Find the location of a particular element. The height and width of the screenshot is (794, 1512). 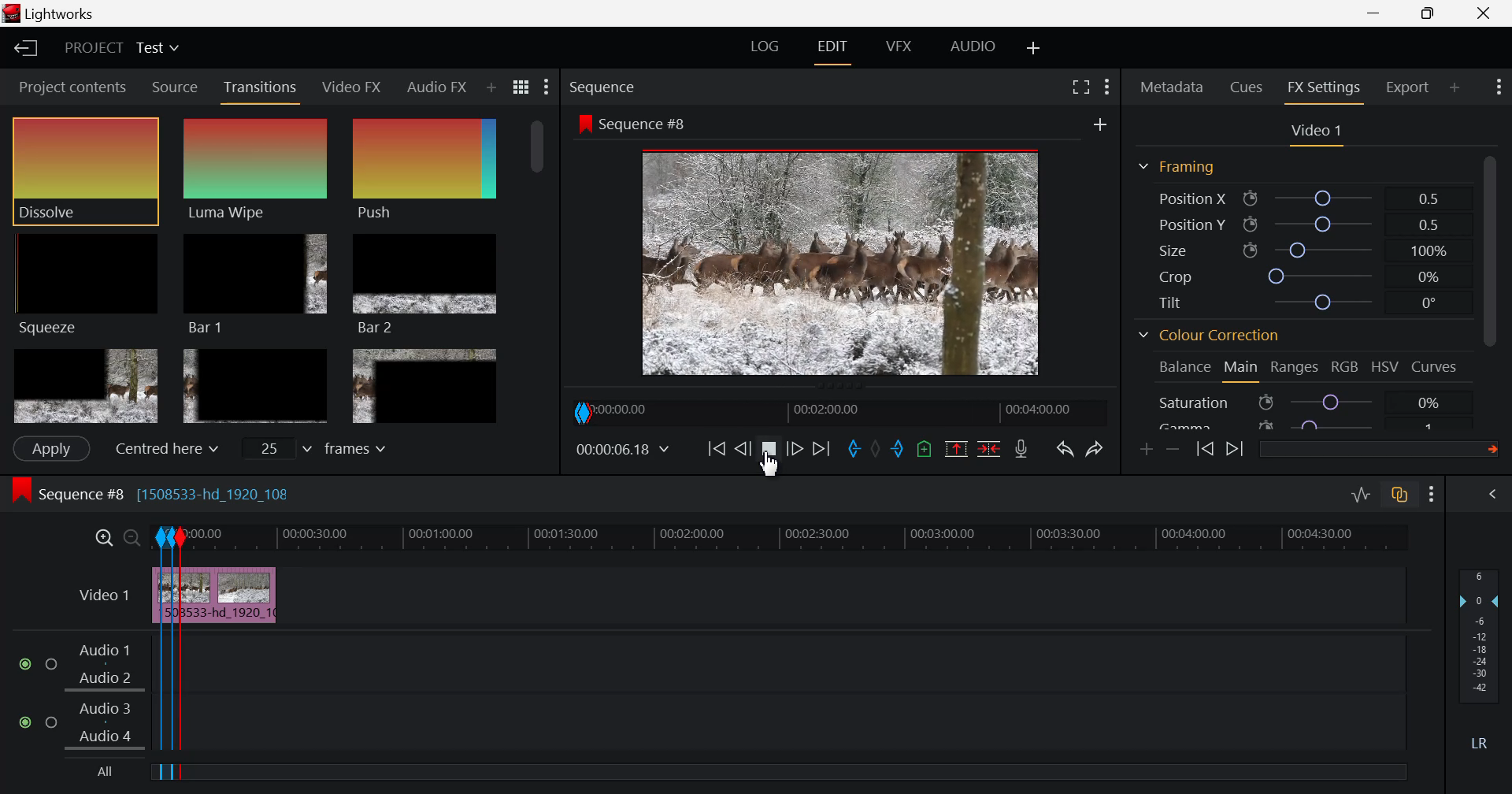

Timeline Zoom Out is located at coordinates (132, 540).